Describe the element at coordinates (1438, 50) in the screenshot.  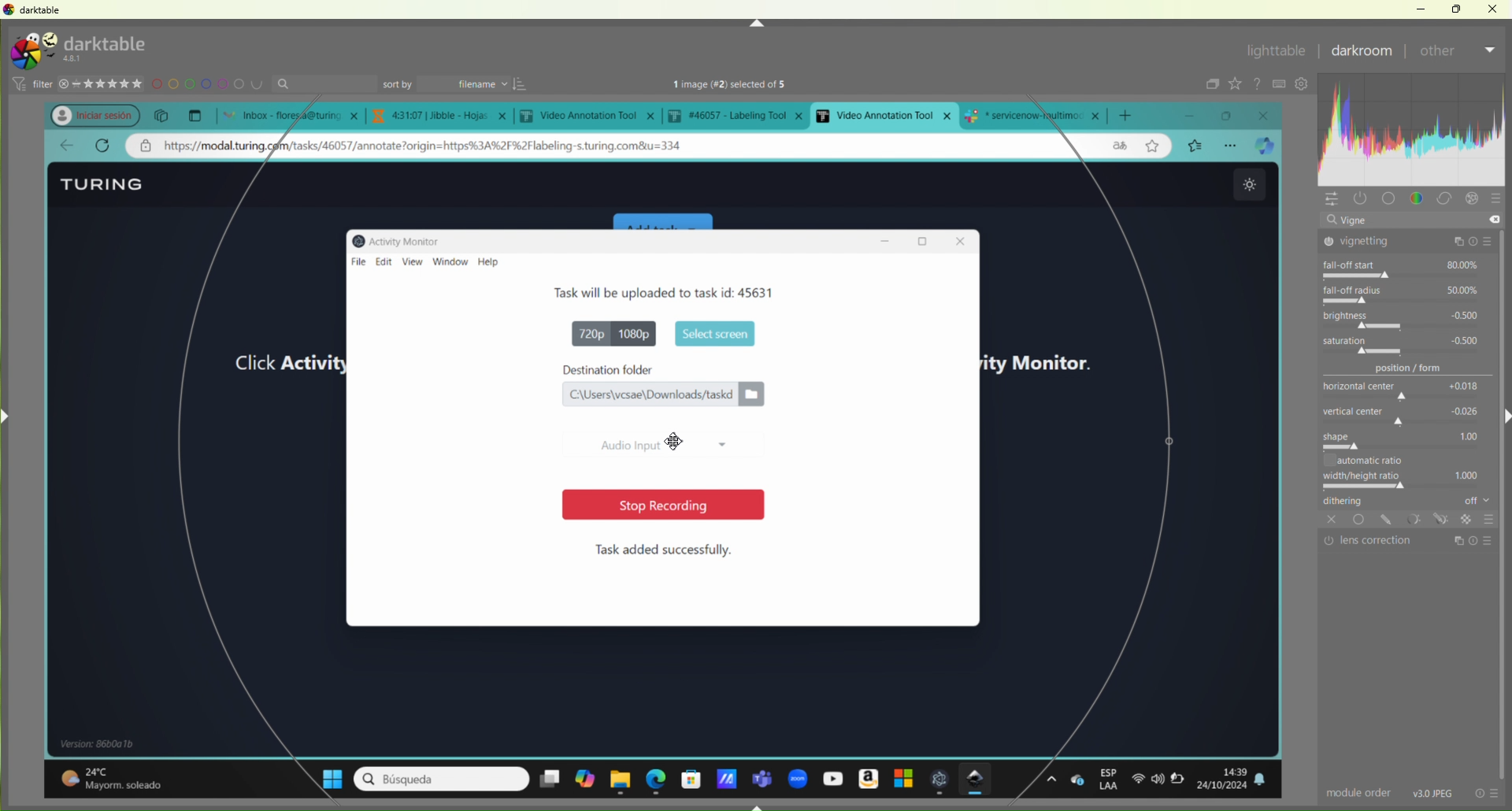
I see `After` at that location.